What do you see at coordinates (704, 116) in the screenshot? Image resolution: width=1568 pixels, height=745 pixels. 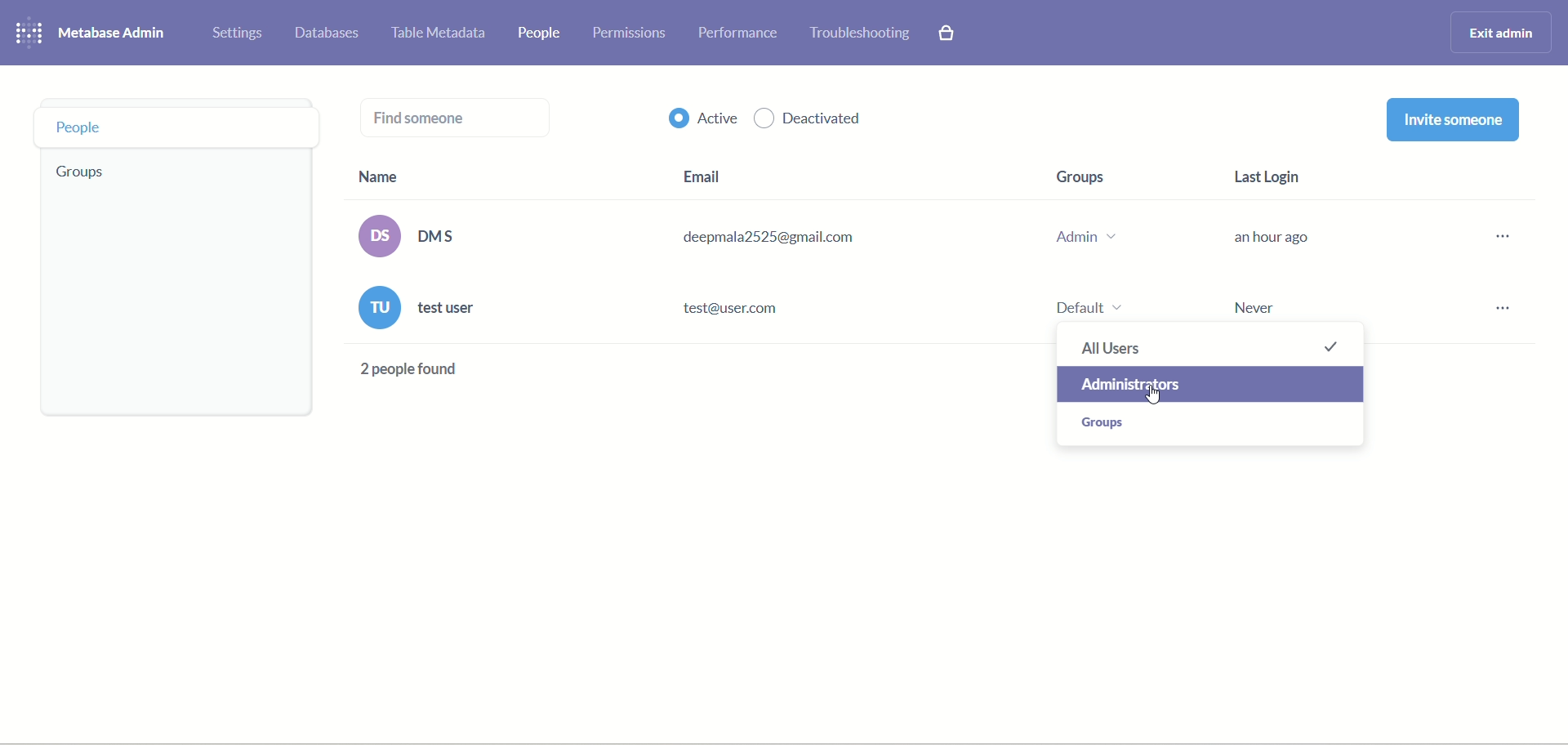 I see `active` at bounding box center [704, 116].